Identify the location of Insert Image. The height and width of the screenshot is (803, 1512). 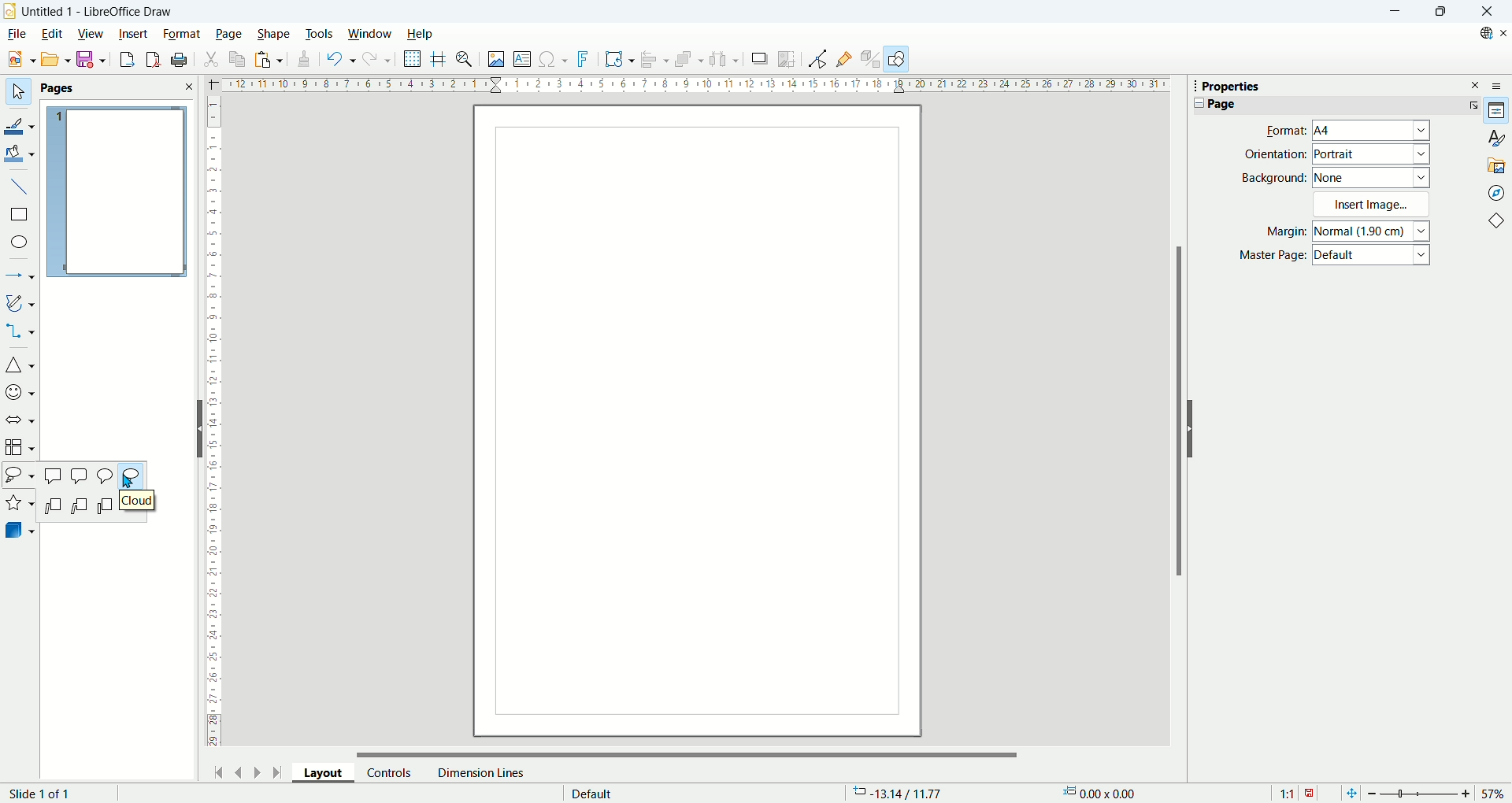
(1373, 204).